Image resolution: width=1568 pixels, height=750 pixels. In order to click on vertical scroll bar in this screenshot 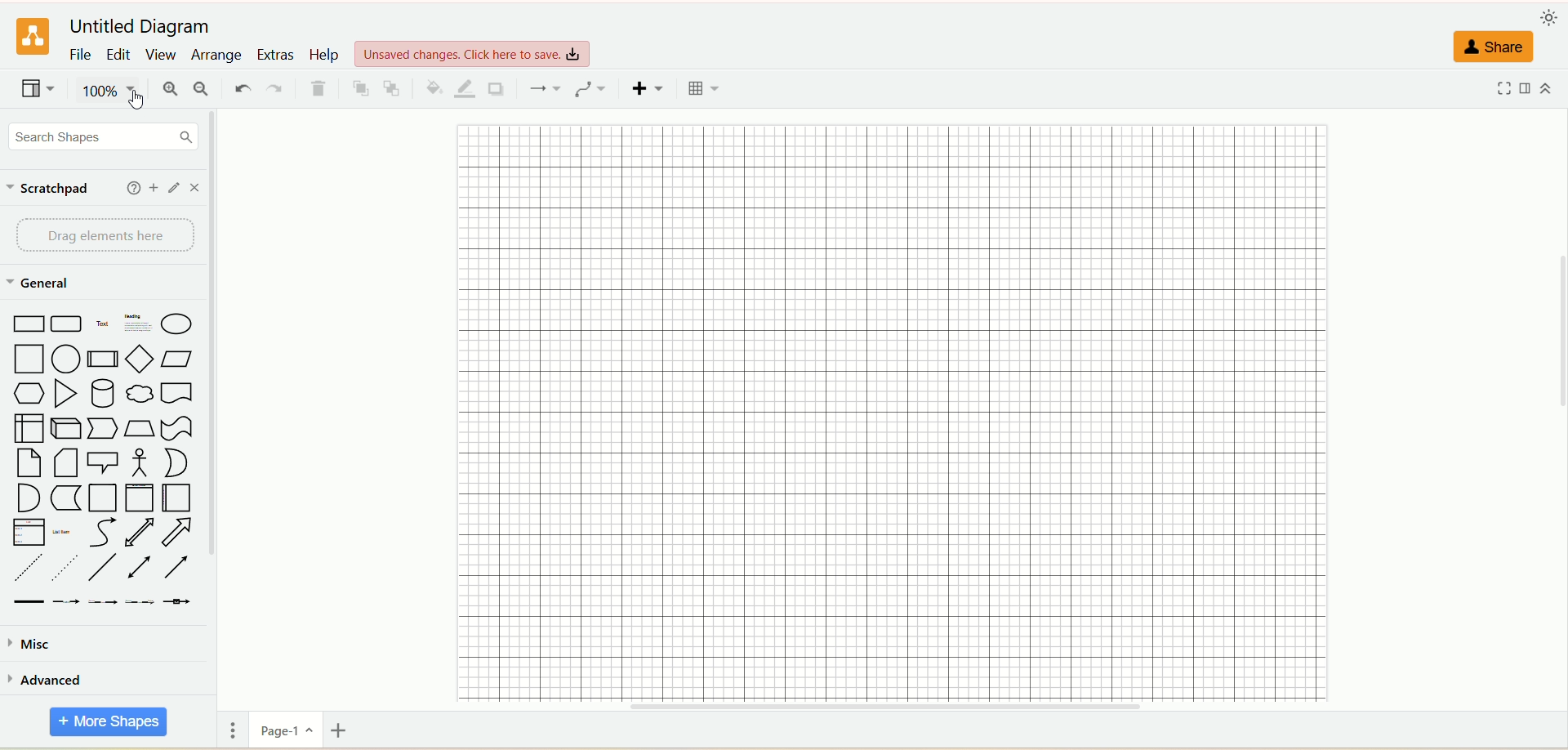, I will do `click(212, 428)`.